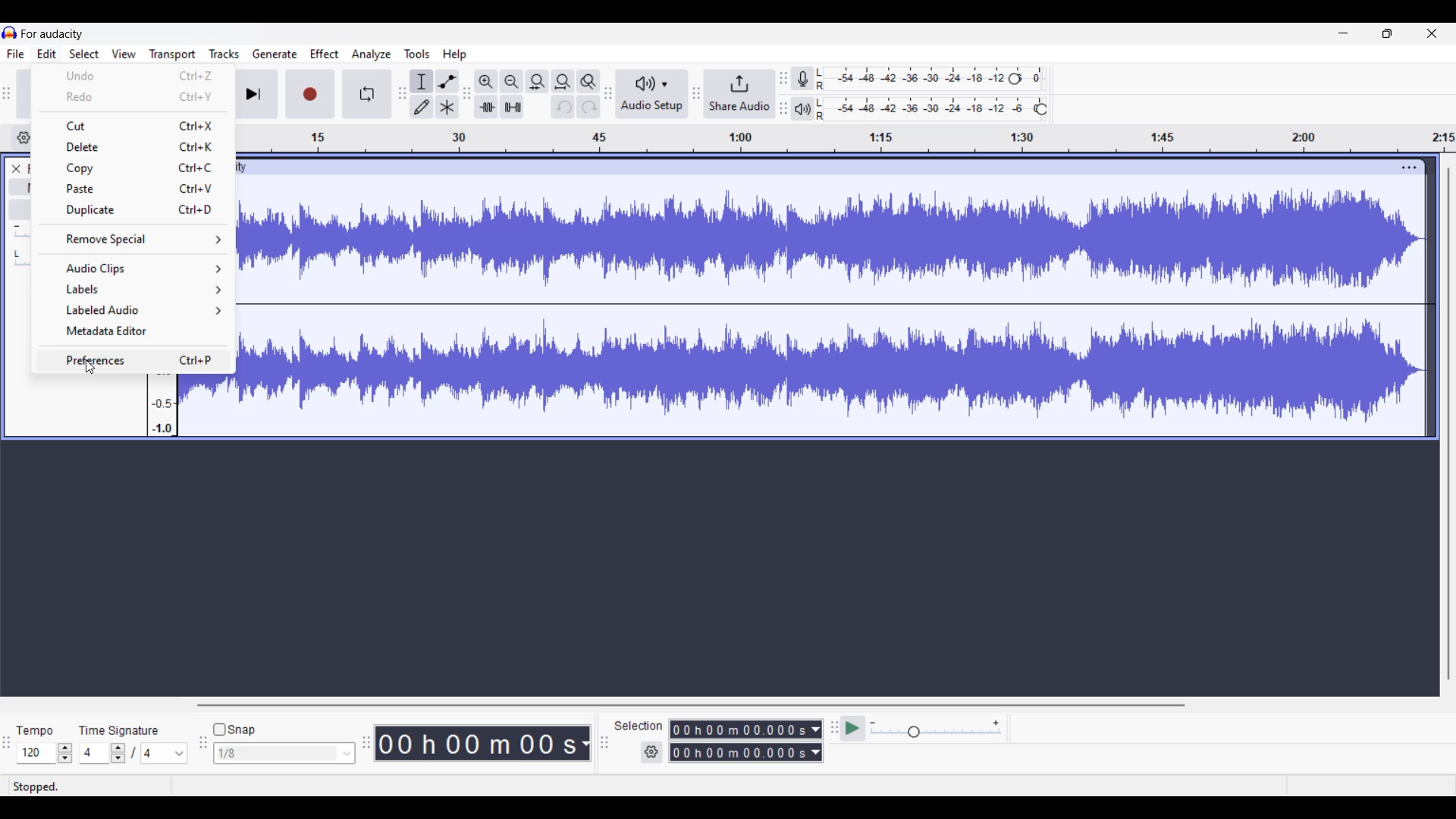 This screenshot has width=1456, height=819. Describe the element at coordinates (119, 730) in the screenshot. I see `Indicates time signature settings` at that location.